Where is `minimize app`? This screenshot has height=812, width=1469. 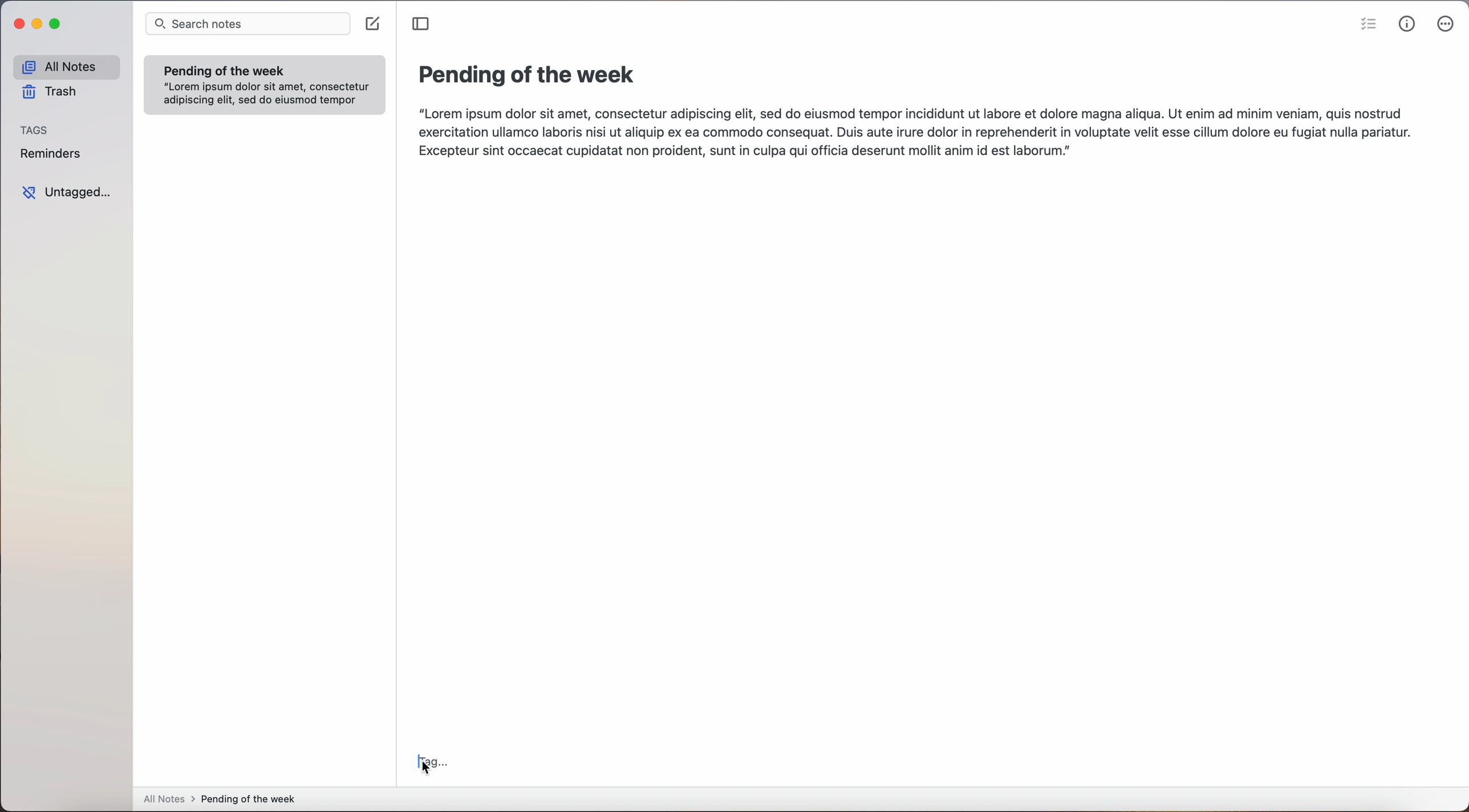 minimize app is located at coordinates (38, 24).